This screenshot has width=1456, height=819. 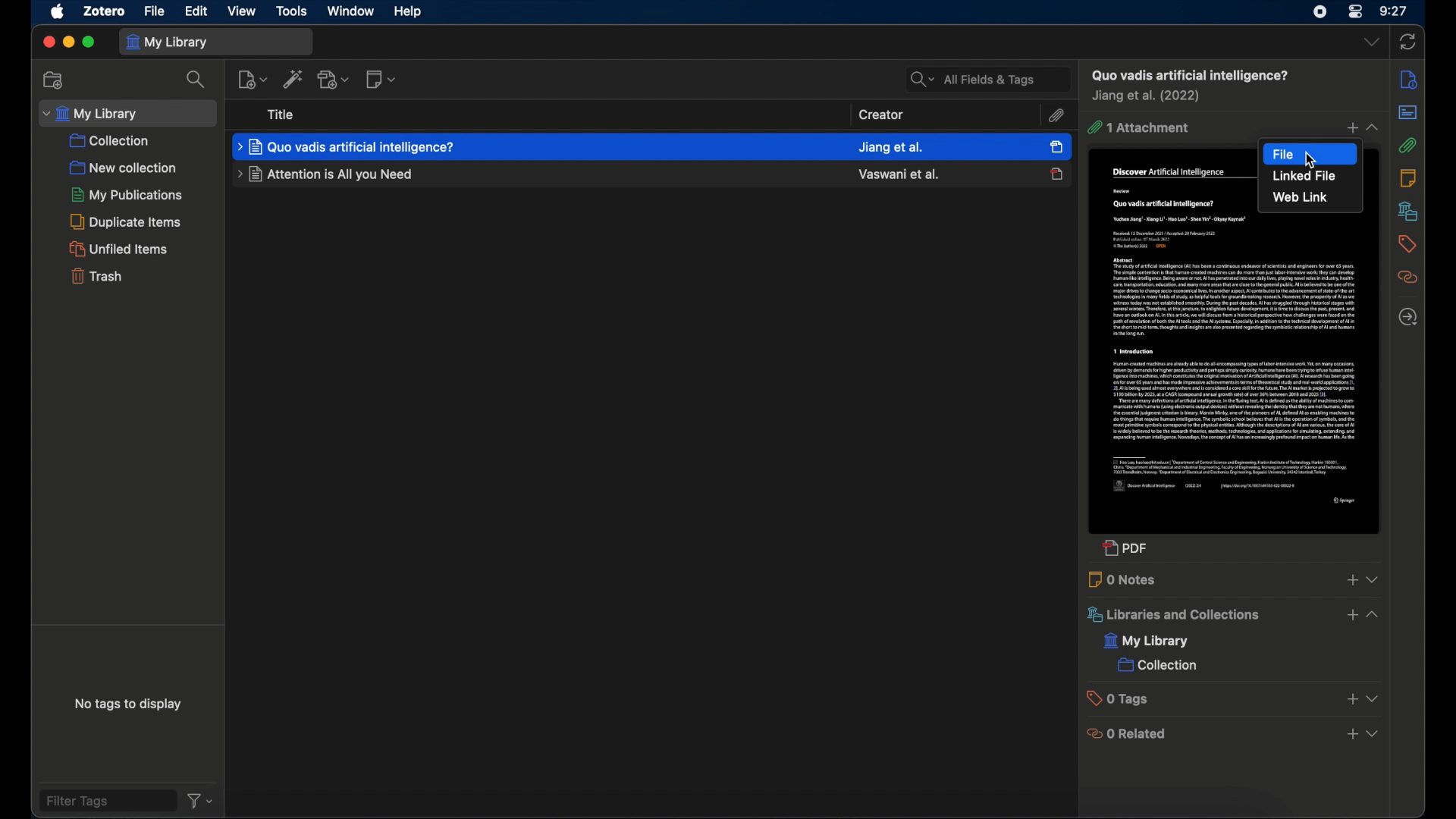 What do you see at coordinates (105, 11) in the screenshot?
I see `zotero` at bounding box center [105, 11].